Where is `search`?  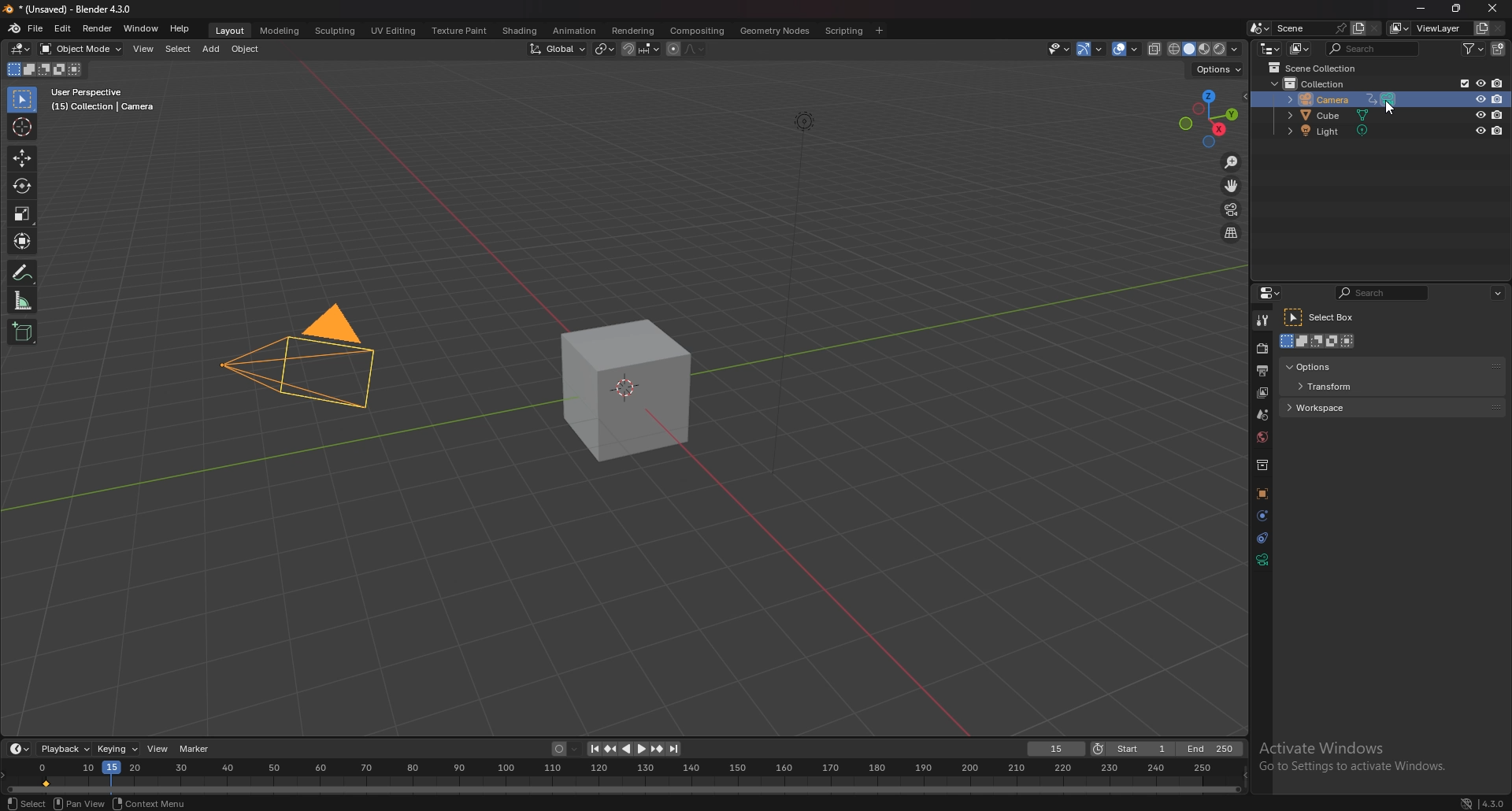
search is located at coordinates (1381, 292).